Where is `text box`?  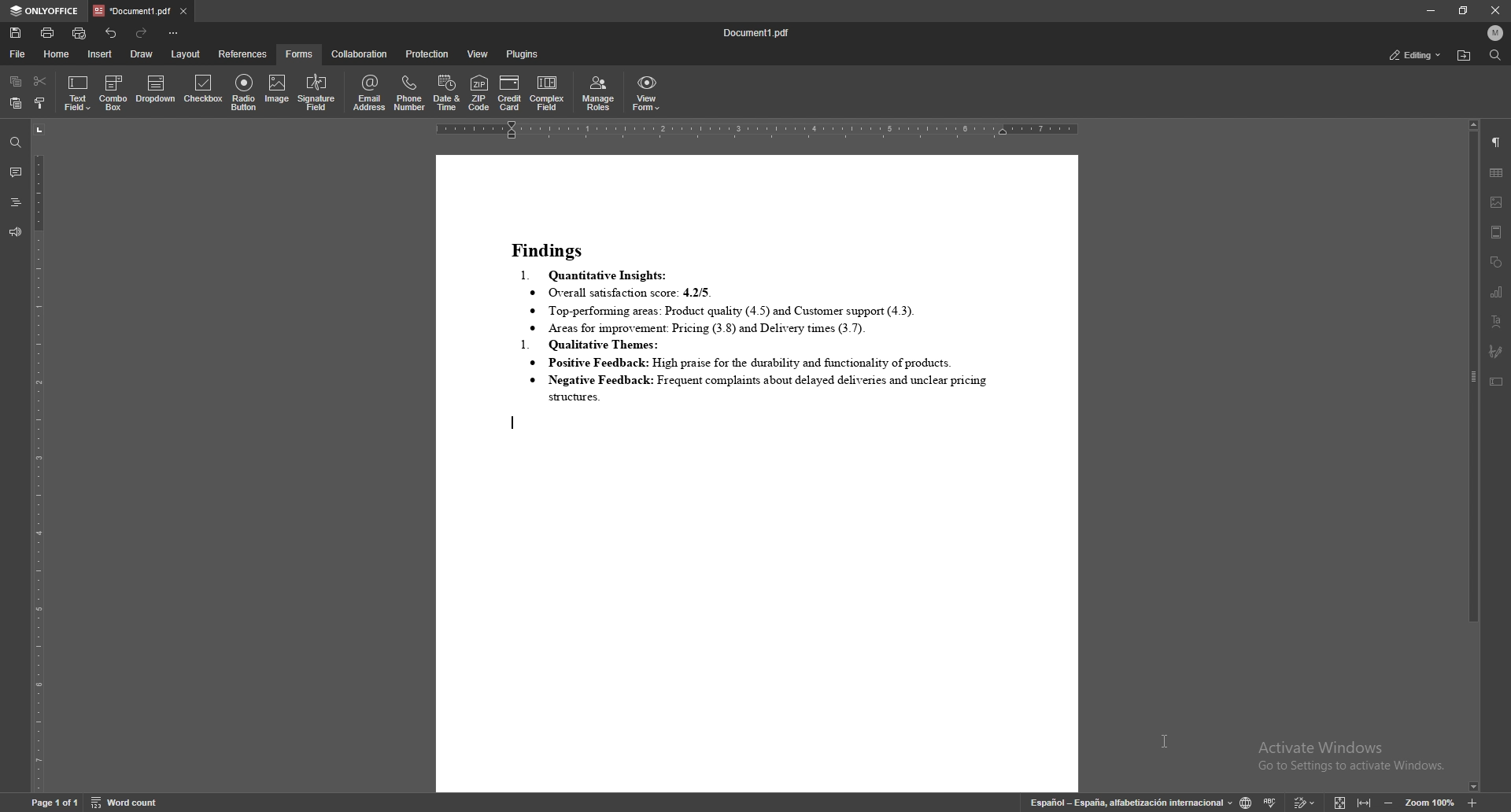 text box is located at coordinates (1496, 382).